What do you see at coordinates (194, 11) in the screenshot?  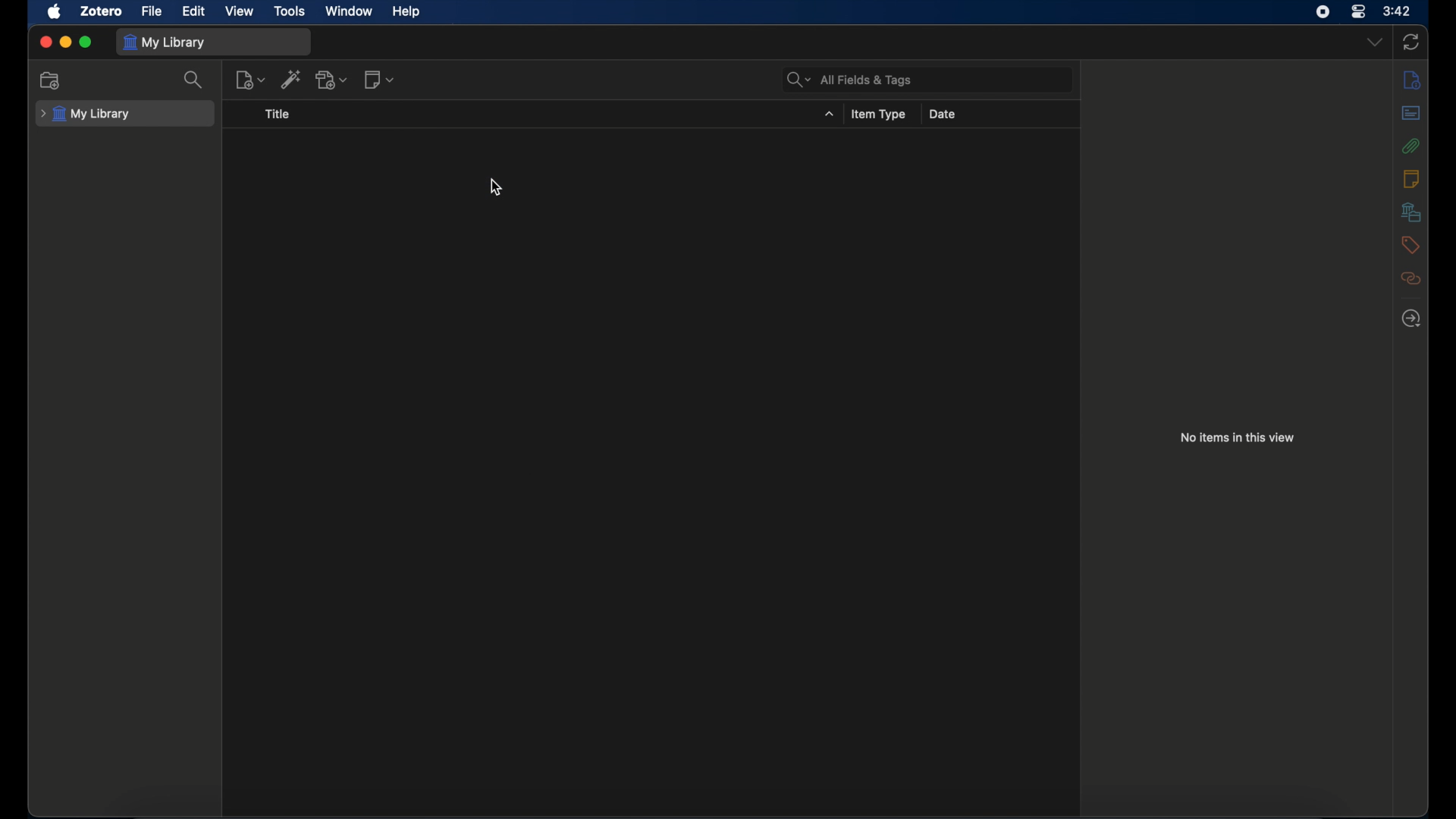 I see `edit` at bounding box center [194, 11].